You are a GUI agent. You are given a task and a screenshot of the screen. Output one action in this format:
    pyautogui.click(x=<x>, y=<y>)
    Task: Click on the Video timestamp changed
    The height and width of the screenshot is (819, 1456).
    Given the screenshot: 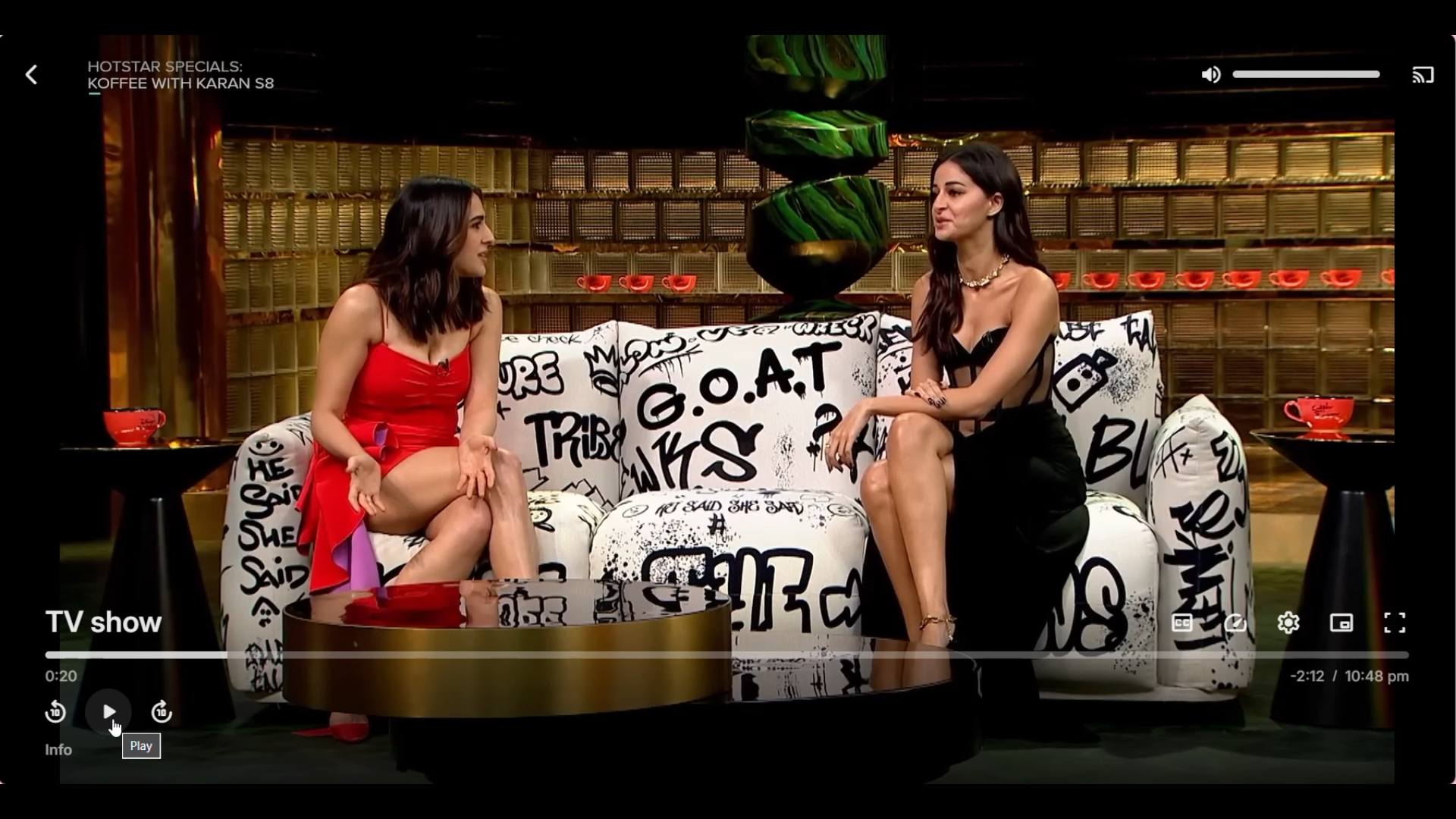 What is the action you would take?
    pyautogui.click(x=61, y=676)
    